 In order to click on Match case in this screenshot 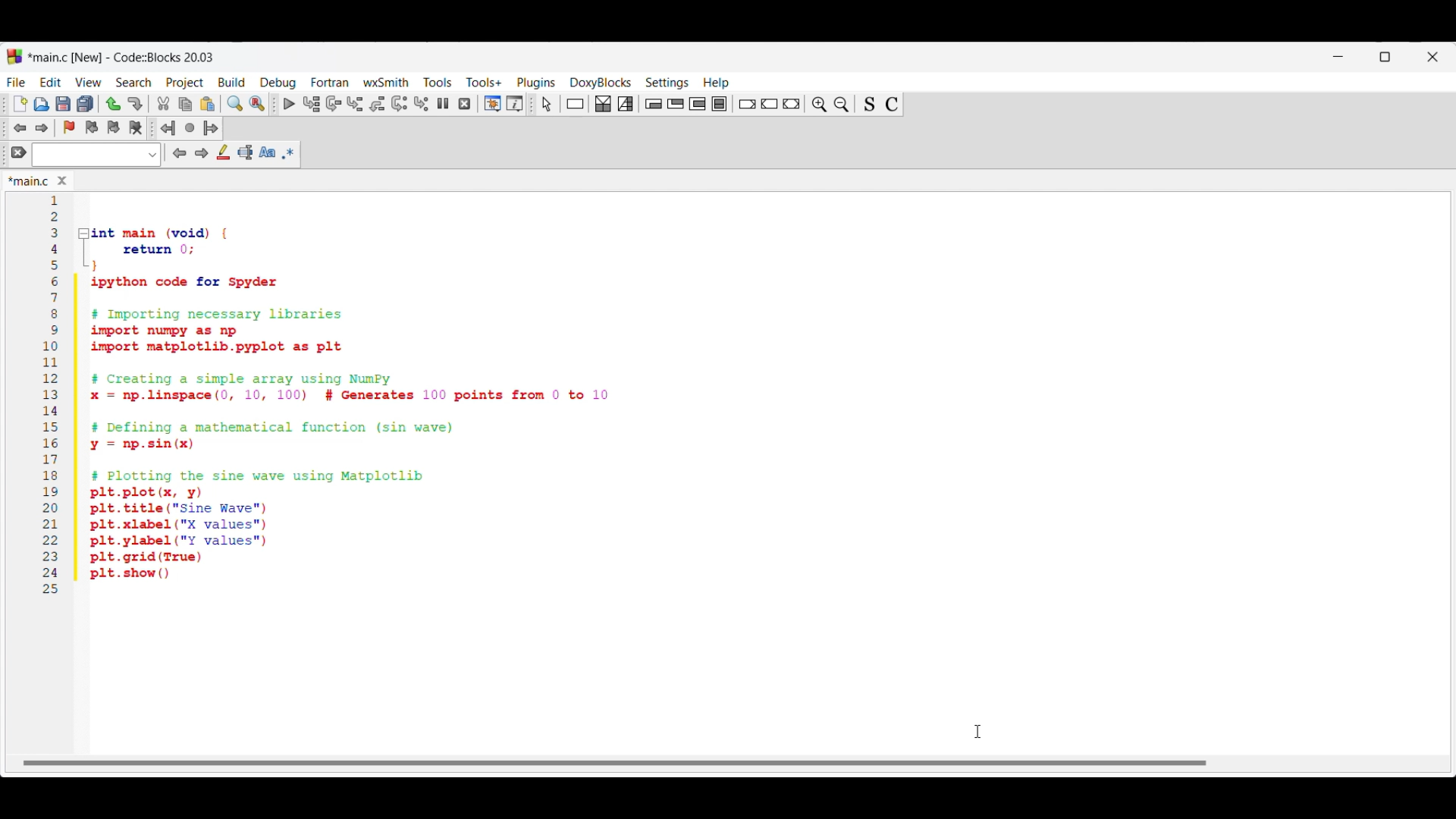, I will do `click(267, 152)`.